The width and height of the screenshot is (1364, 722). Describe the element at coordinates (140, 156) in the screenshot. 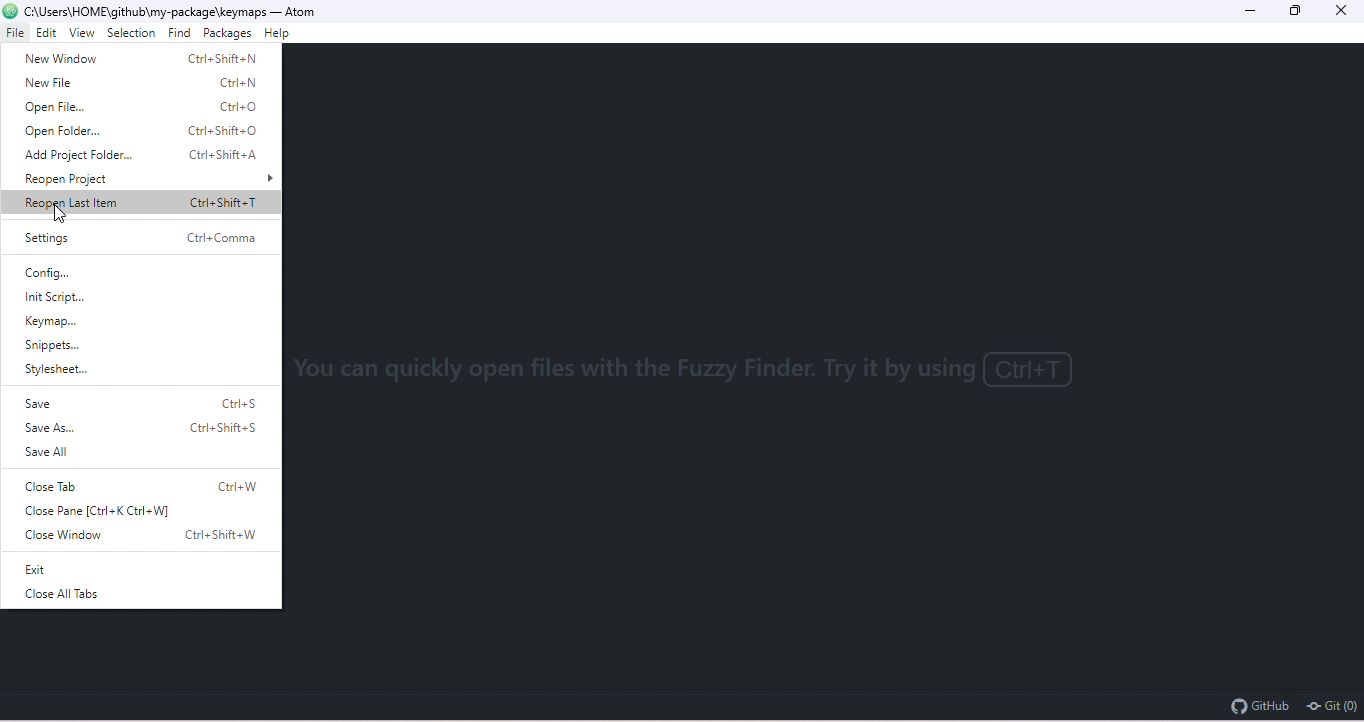

I see `add project folder` at that location.